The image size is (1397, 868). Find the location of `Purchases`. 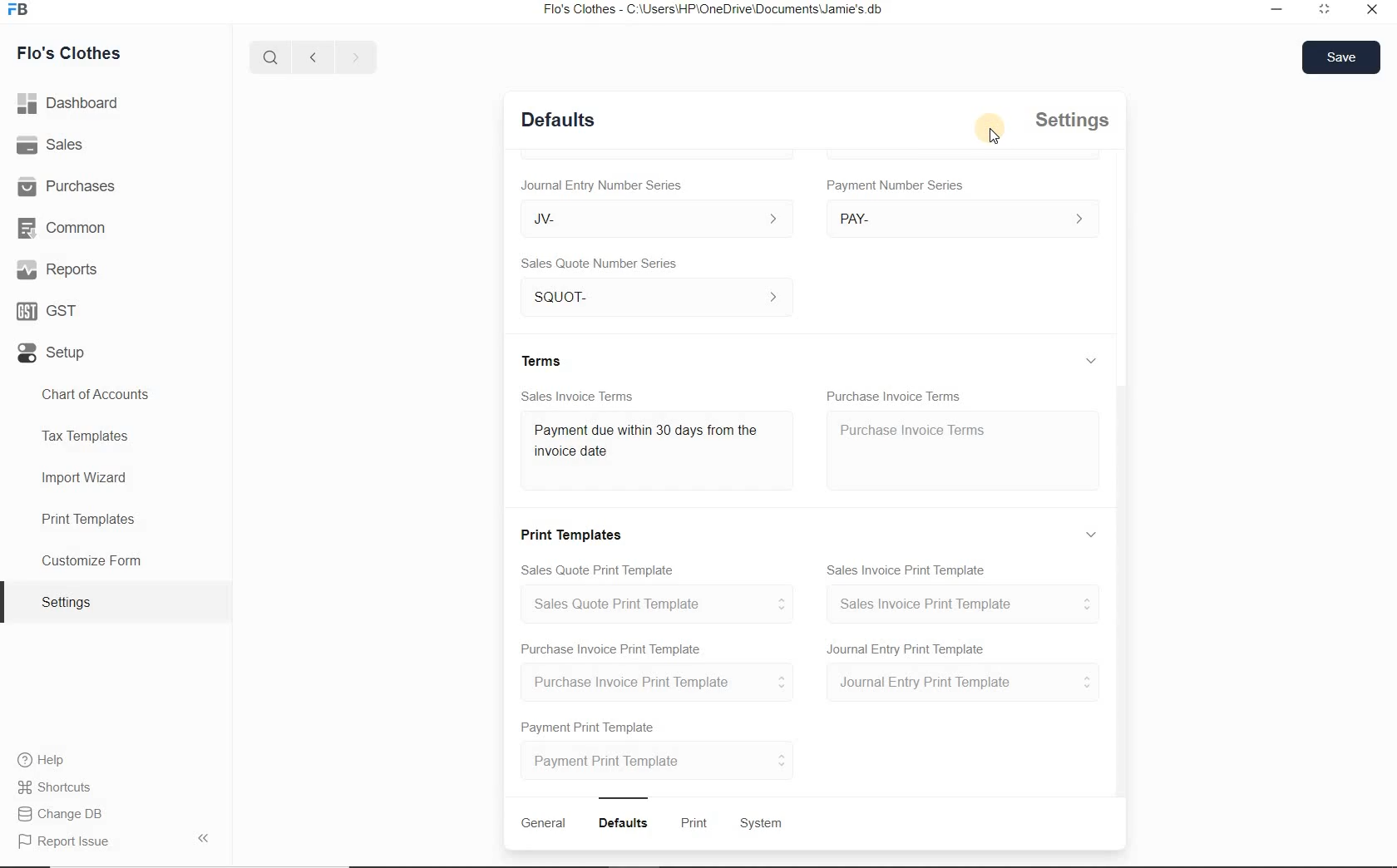

Purchases is located at coordinates (67, 185).